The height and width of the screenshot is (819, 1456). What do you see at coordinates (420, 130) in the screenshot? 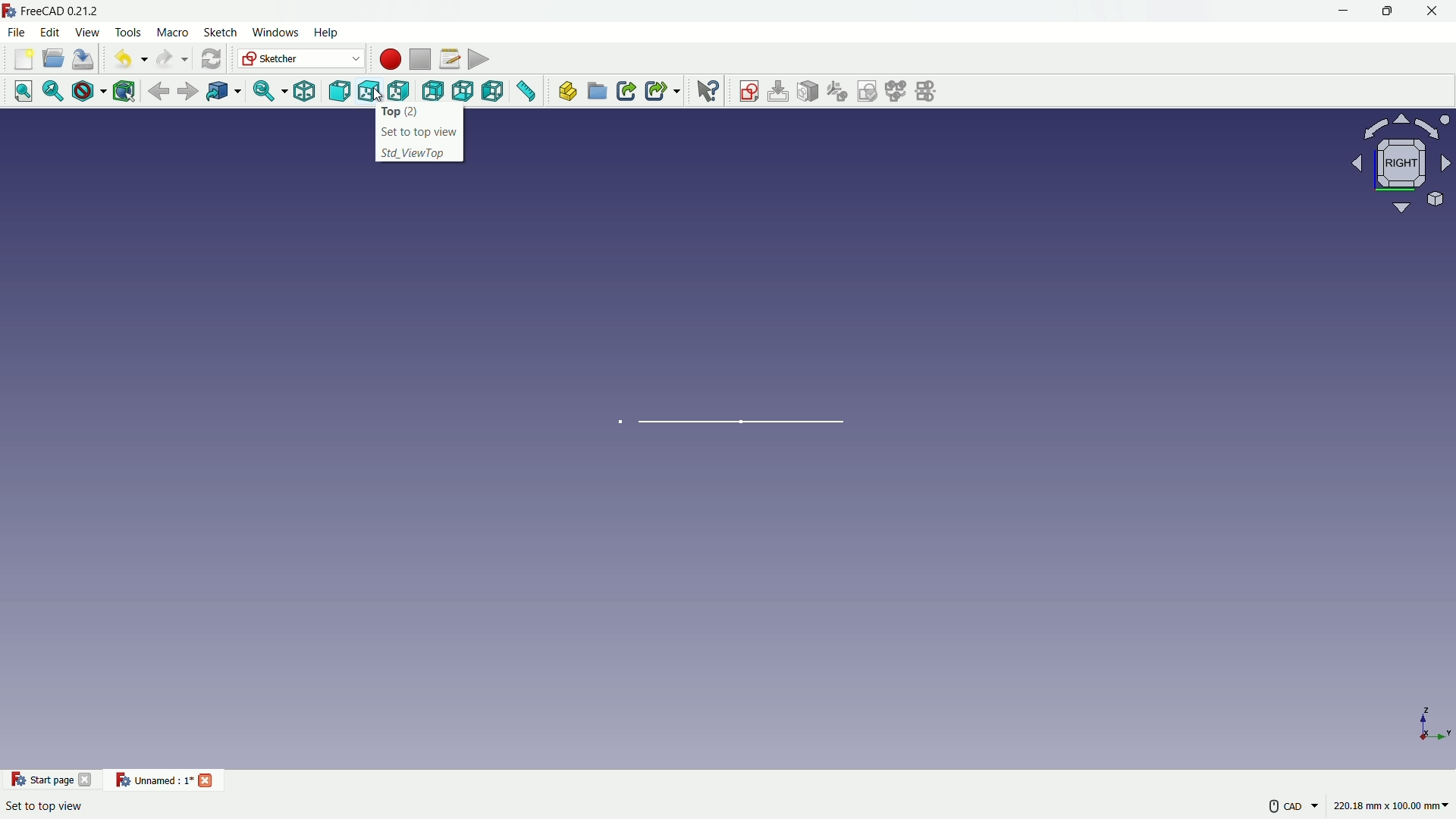
I see `set to top view` at bounding box center [420, 130].